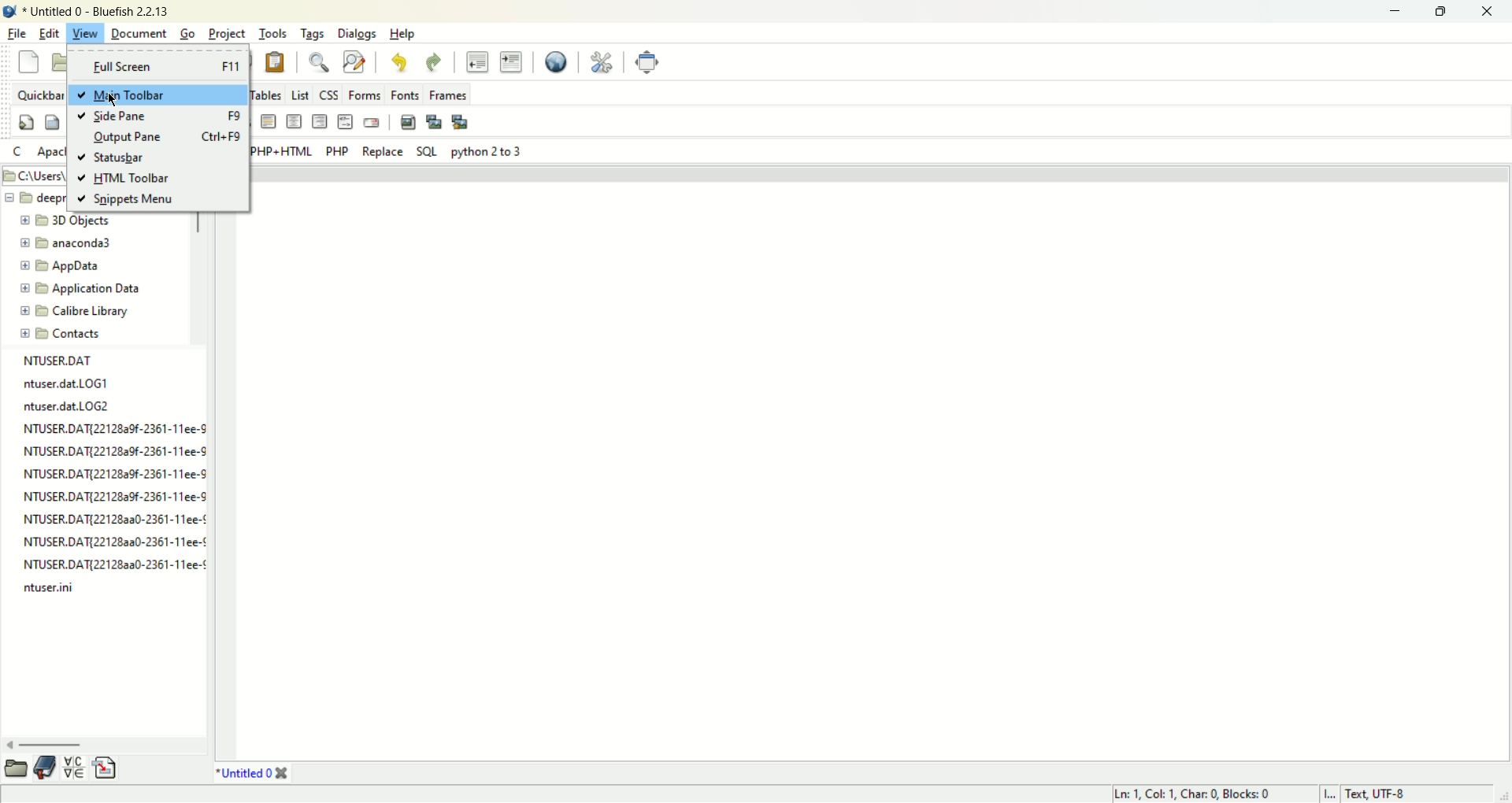 This screenshot has width=1512, height=803. What do you see at coordinates (71, 385) in the screenshot?
I see `ntuser.dat.LOG1` at bounding box center [71, 385].